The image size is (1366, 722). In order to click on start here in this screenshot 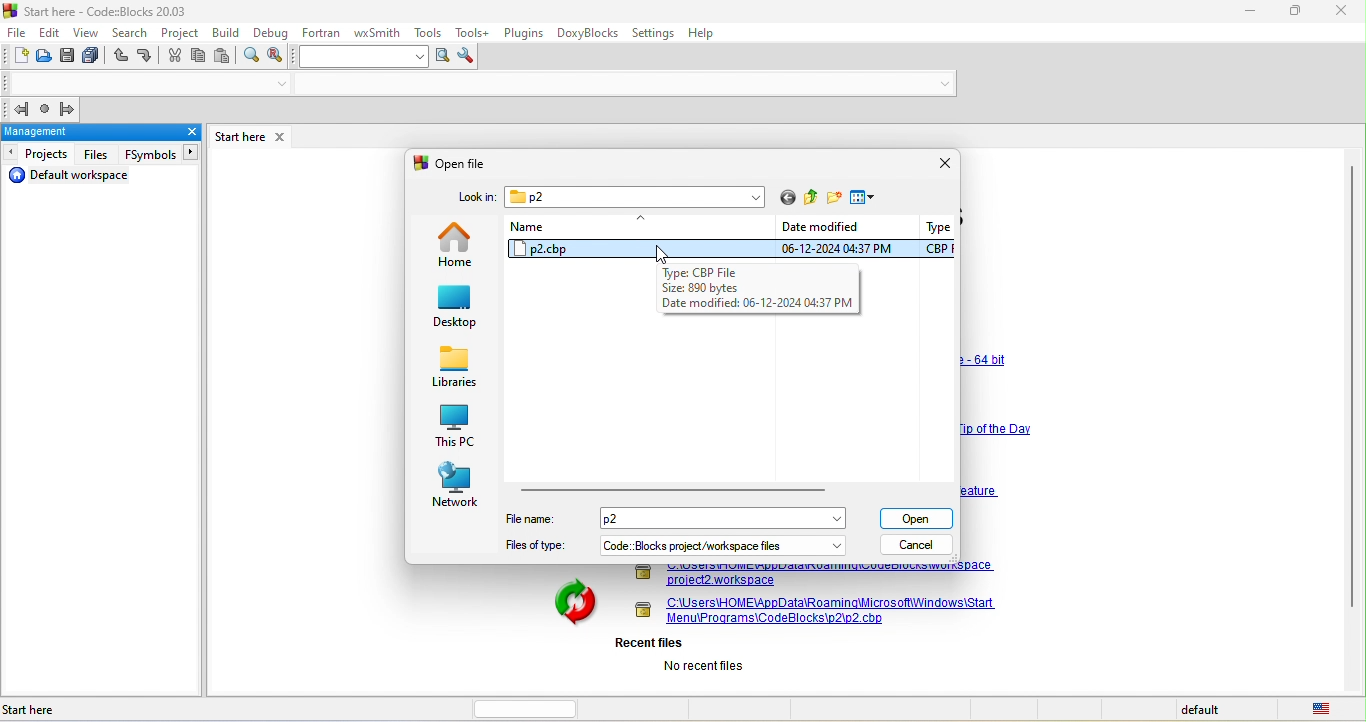, I will do `click(42, 709)`.